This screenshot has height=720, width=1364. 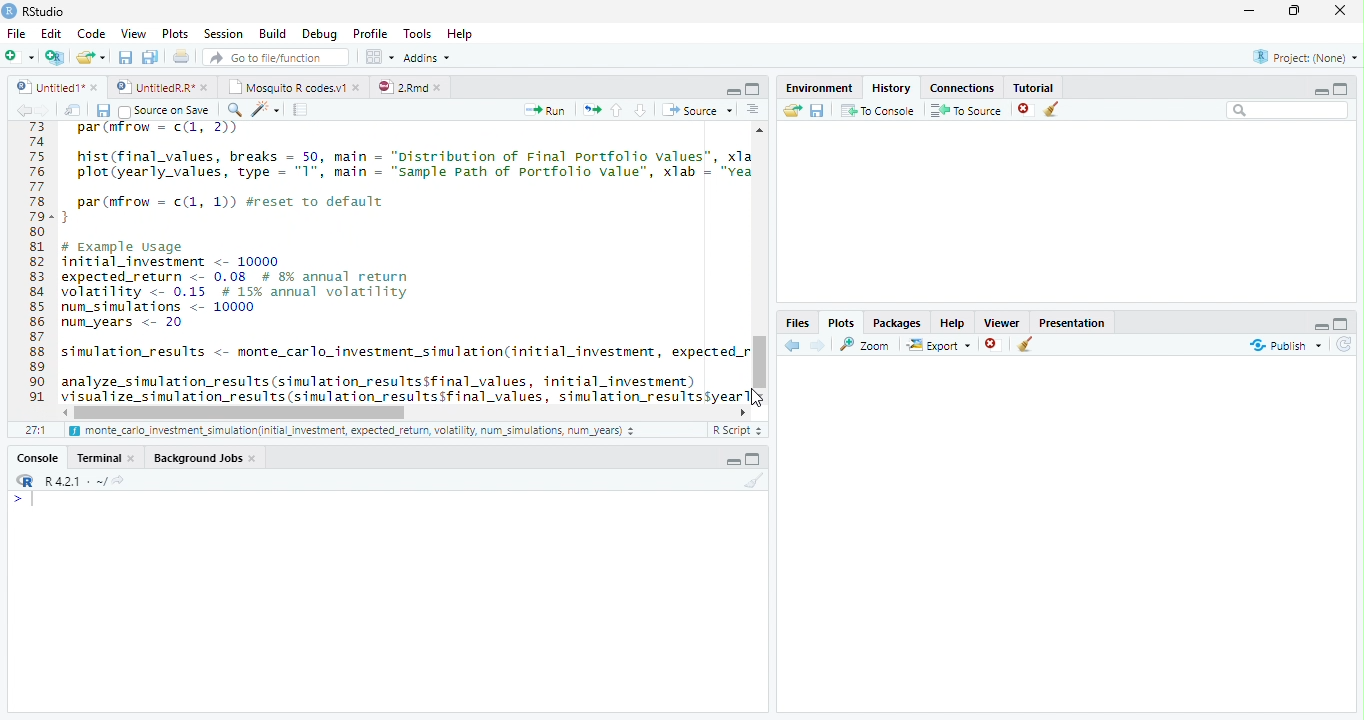 What do you see at coordinates (162, 87) in the screenshot?
I see `styedi® © © Untite` at bounding box center [162, 87].